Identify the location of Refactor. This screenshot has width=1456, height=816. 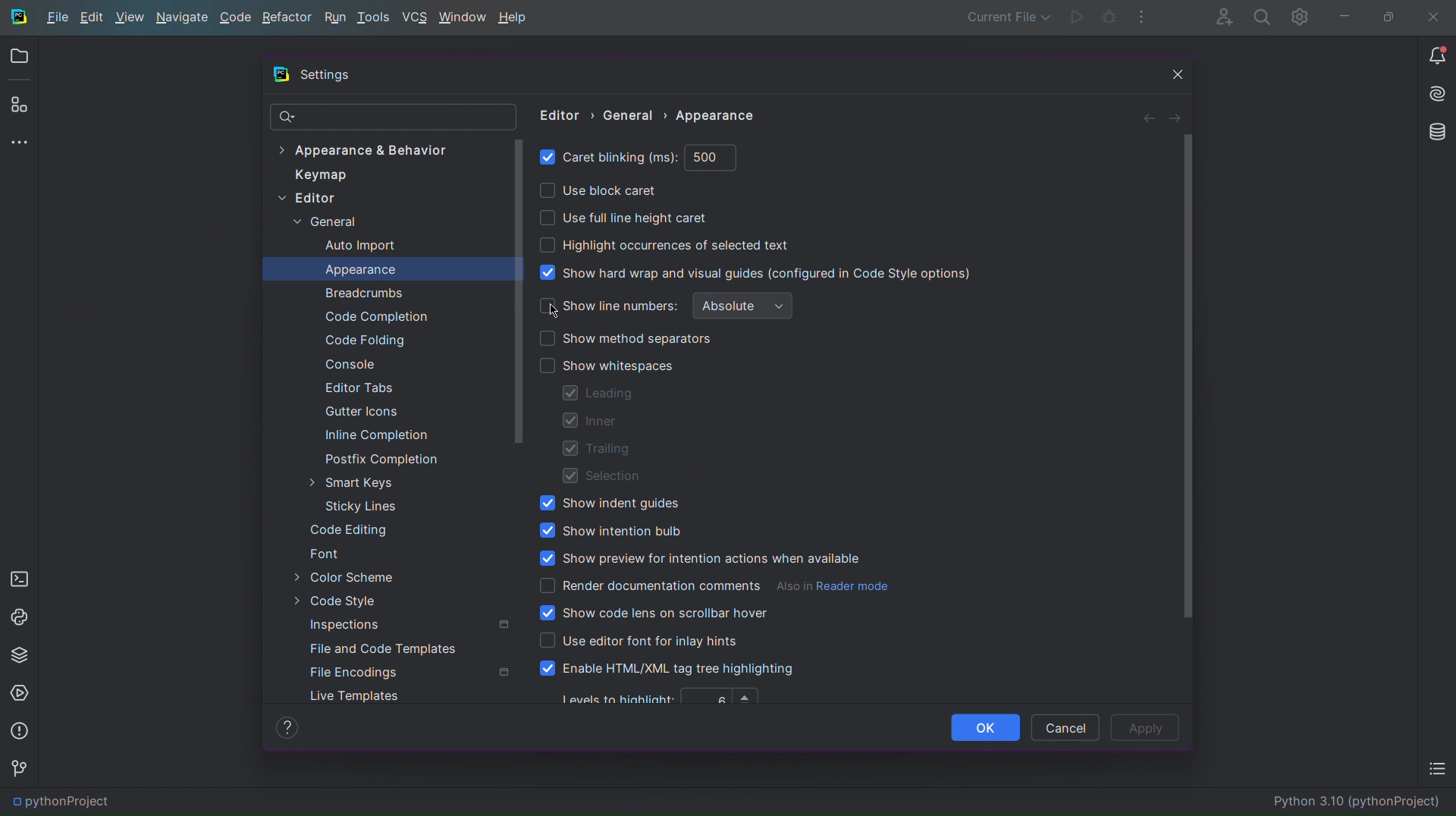
(288, 17).